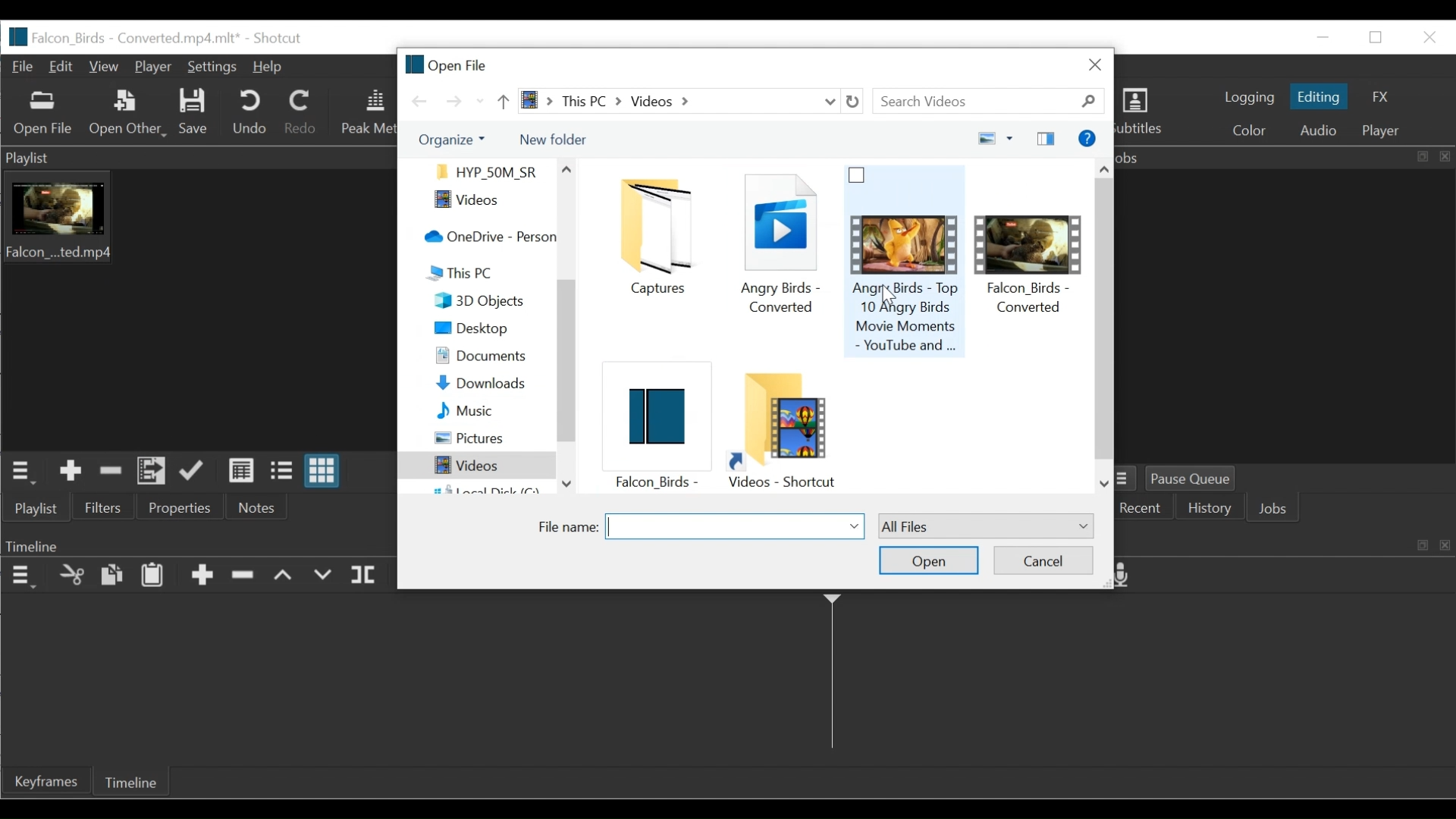 The width and height of the screenshot is (1456, 819). What do you see at coordinates (196, 472) in the screenshot?
I see `Update` at bounding box center [196, 472].